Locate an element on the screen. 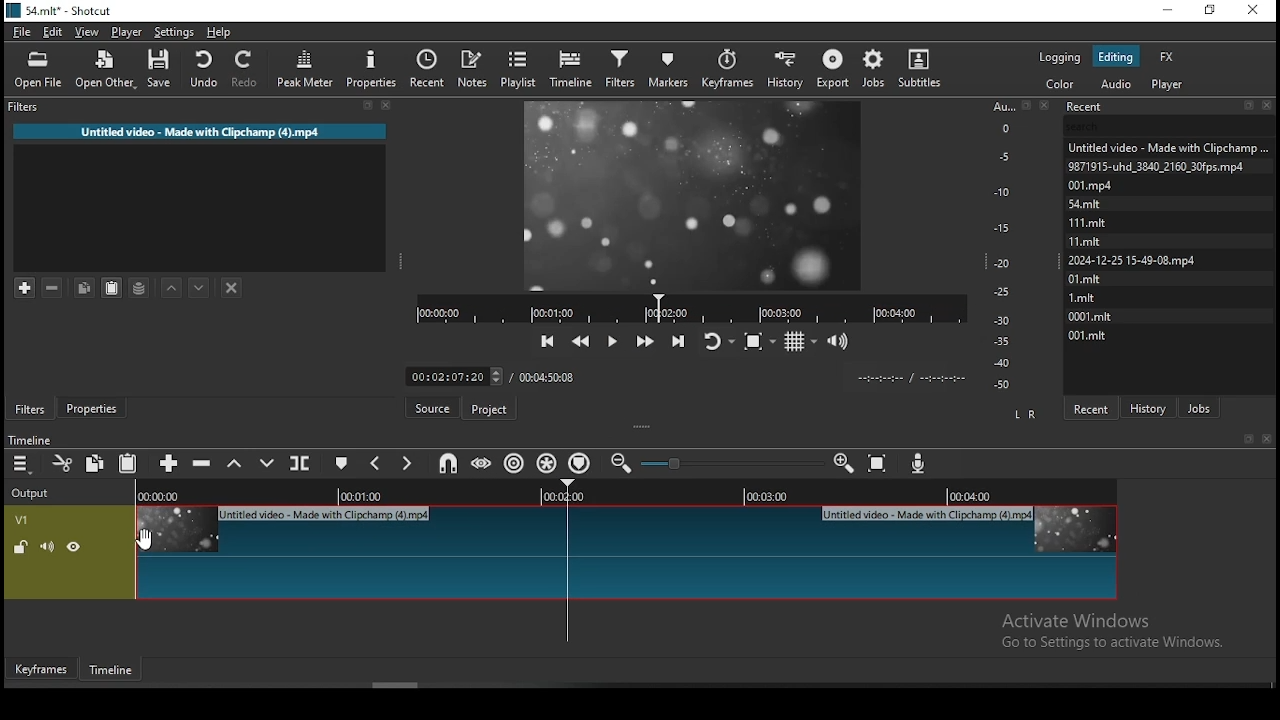  save is located at coordinates (159, 70).